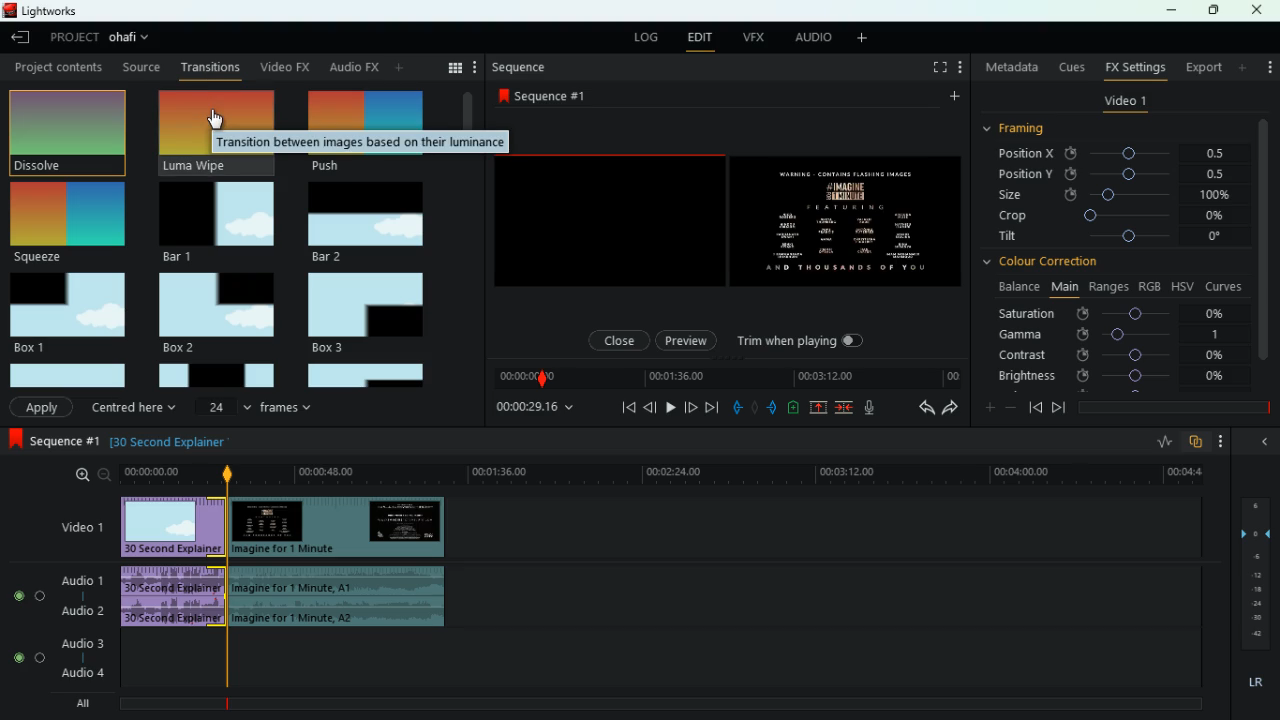 This screenshot has height=720, width=1280. What do you see at coordinates (1198, 442) in the screenshot?
I see `overlap` at bounding box center [1198, 442].